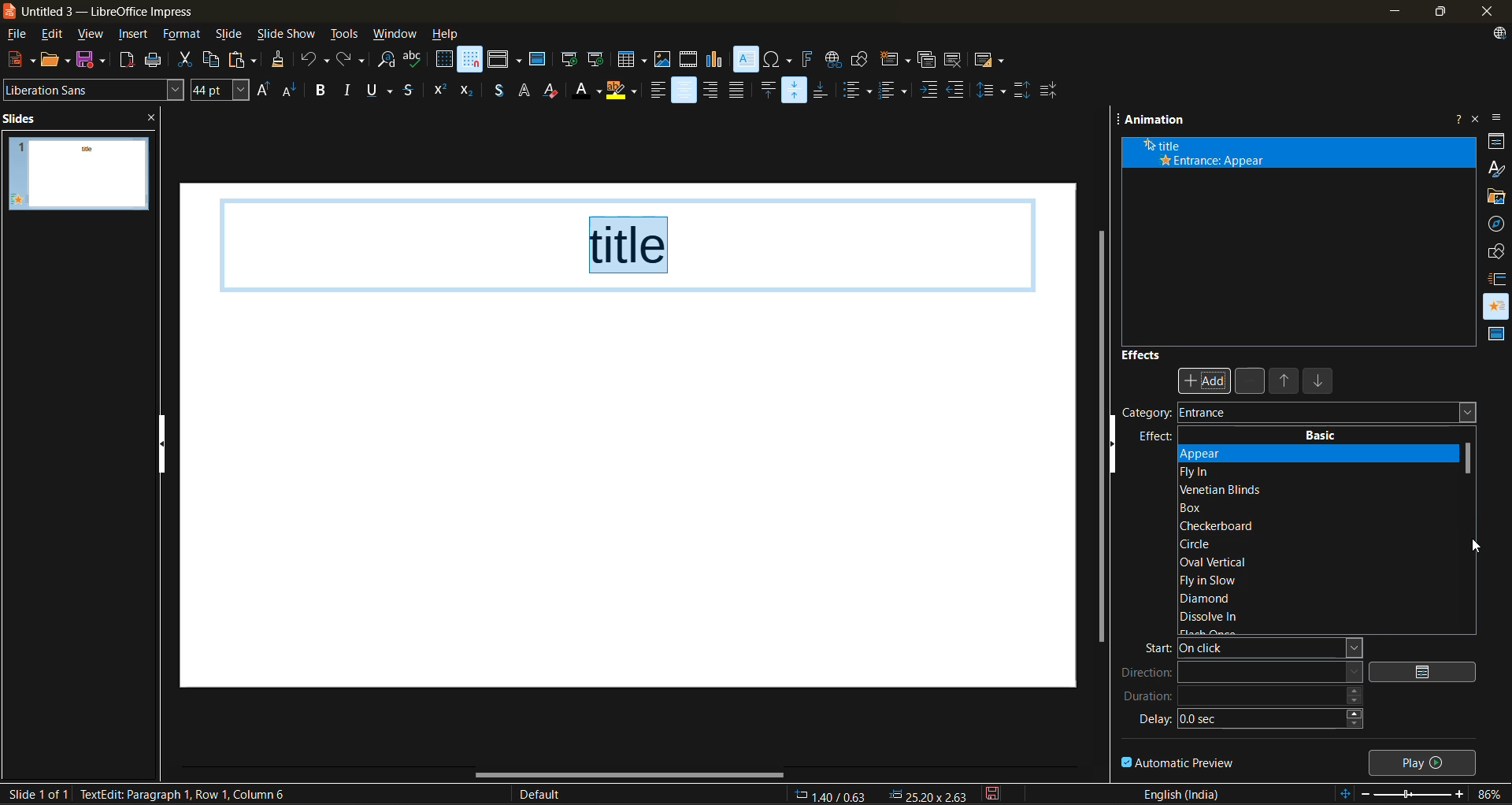 Image resolution: width=1512 pixels, height=805 pixels. I want to click on italic, so click(350, 88).